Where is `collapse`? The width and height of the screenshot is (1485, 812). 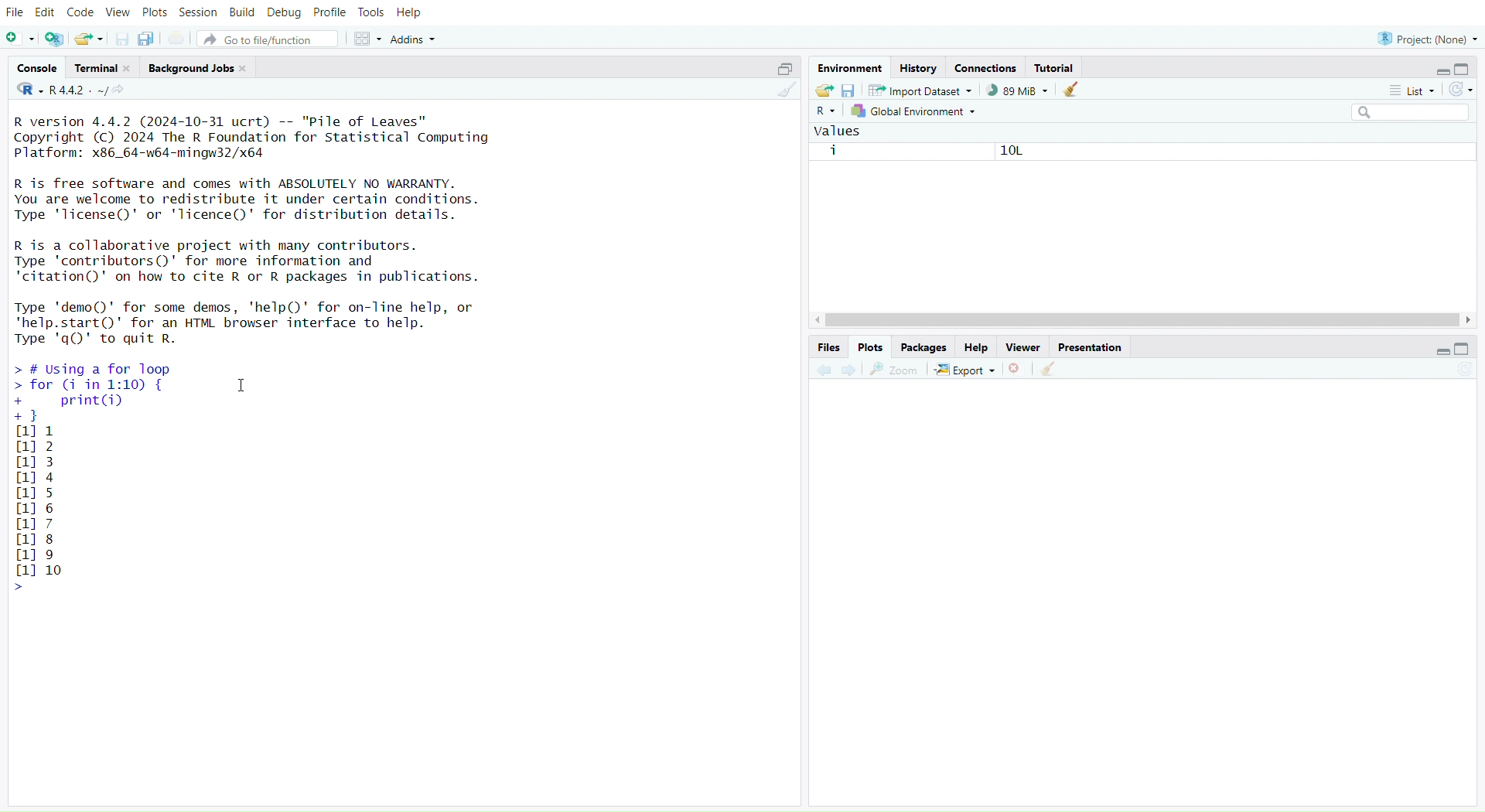 collapse is located at coordinates (1461, 350).